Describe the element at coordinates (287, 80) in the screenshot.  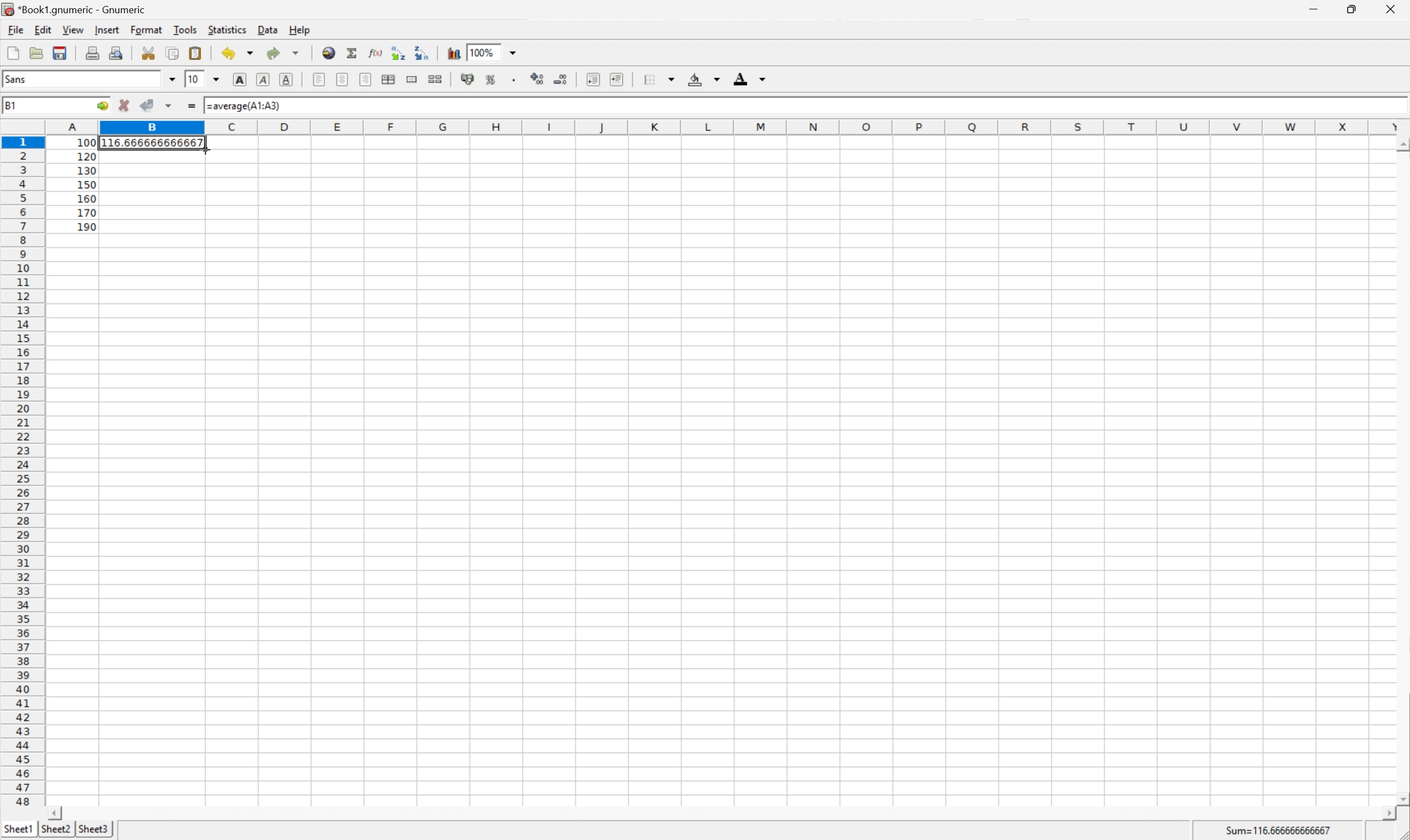
I see `Underline` at that location.